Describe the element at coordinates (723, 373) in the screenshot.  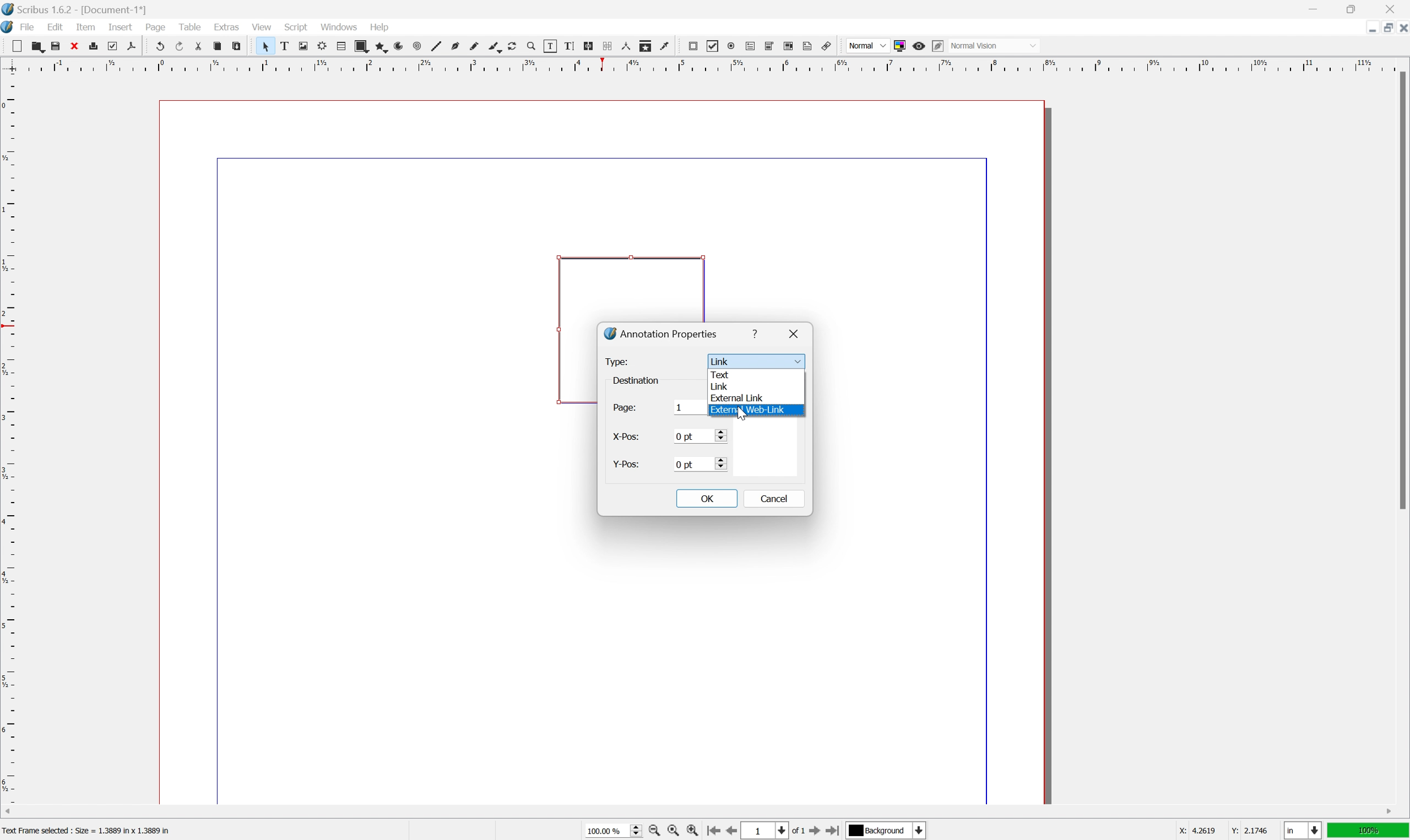
I see `text` at that location.